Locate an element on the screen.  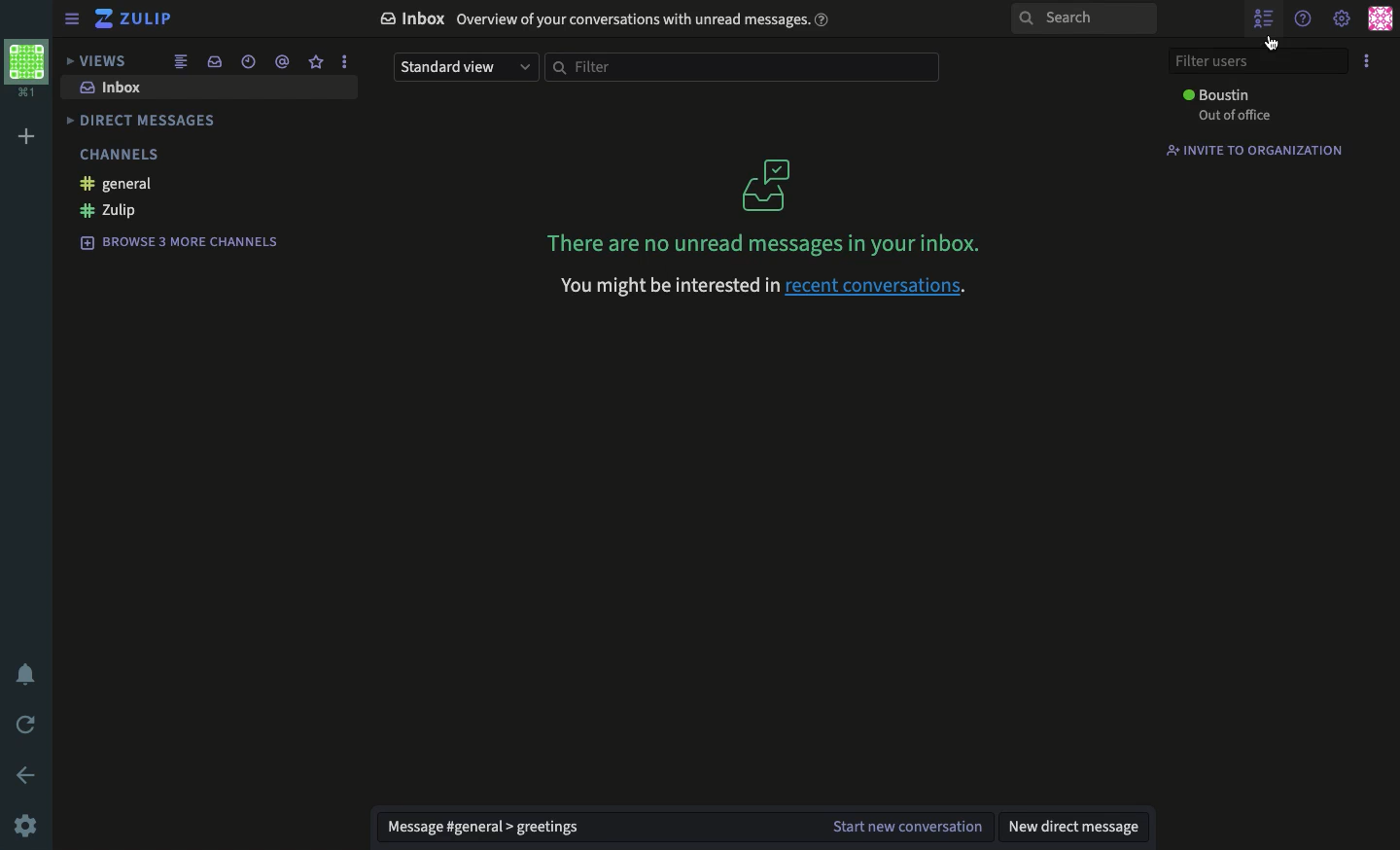
views is located at coordinates (97, 60).